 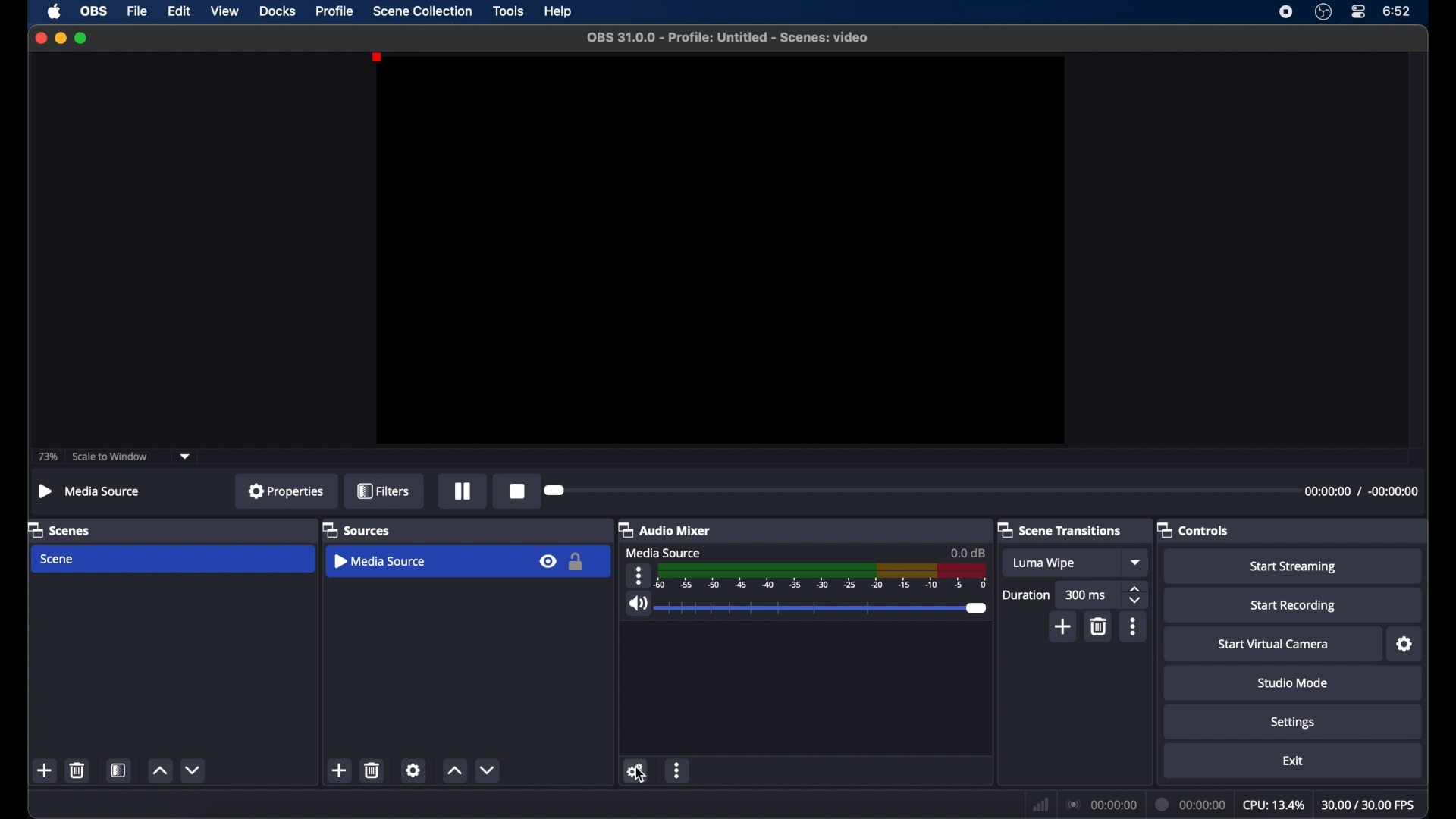 I want to click on scene, so click(x=58, y=560).